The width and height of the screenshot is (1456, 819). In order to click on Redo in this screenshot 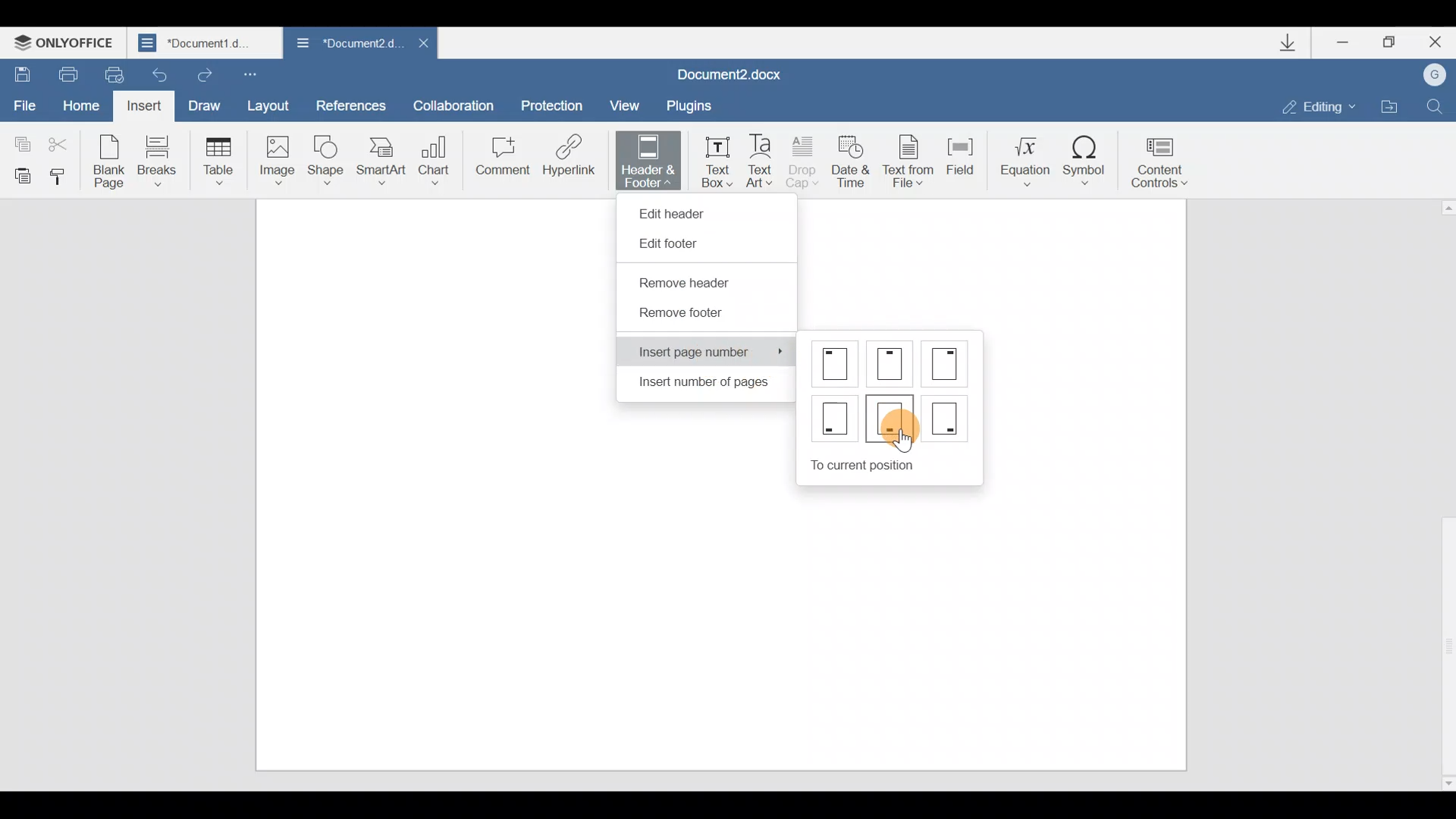, I will do `click(206, 77)`.